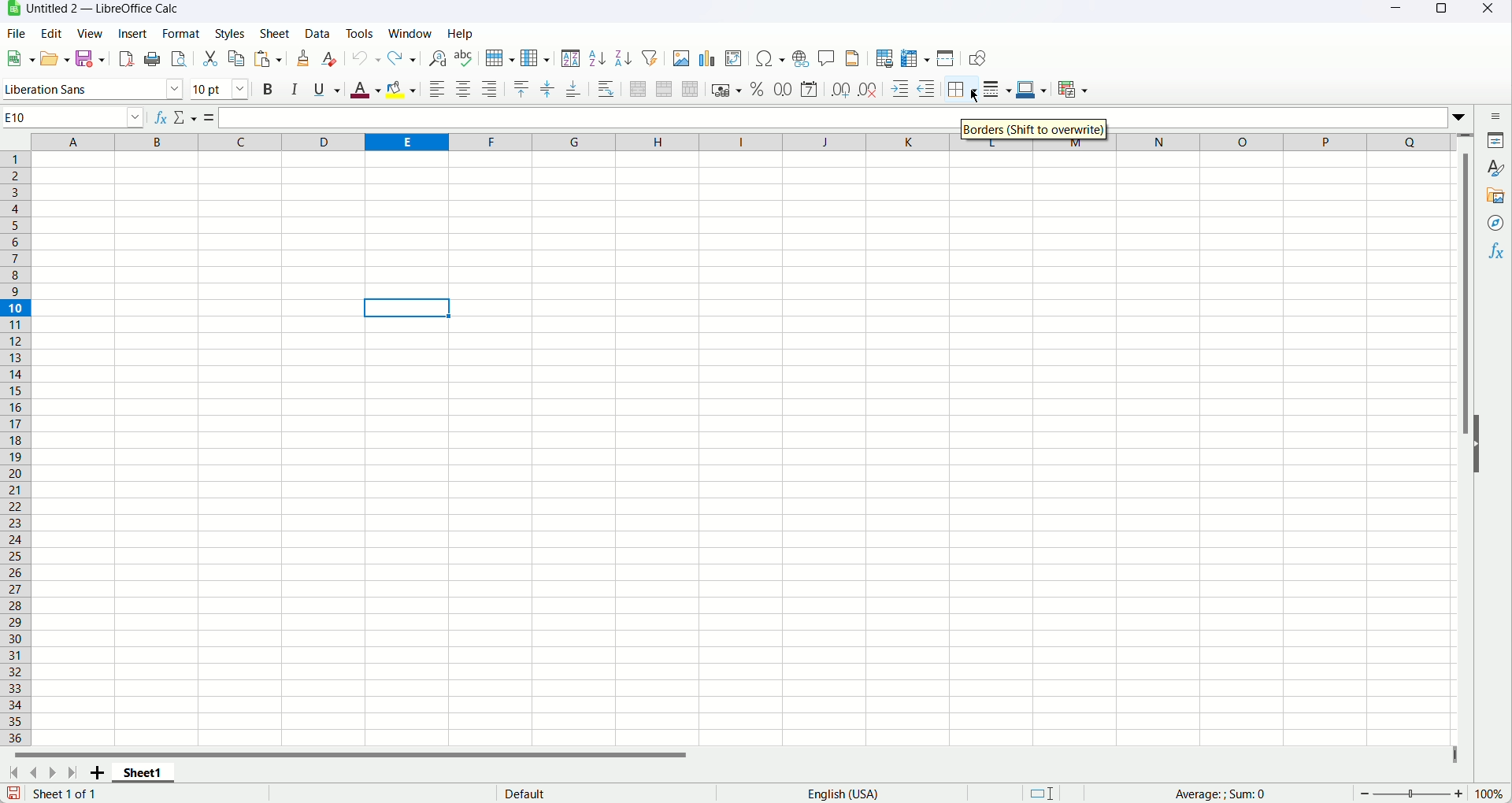  What do you see at coordinates (638, 88) in the screenshot?
I see `Merge and center` at bounding box center [638, 88].